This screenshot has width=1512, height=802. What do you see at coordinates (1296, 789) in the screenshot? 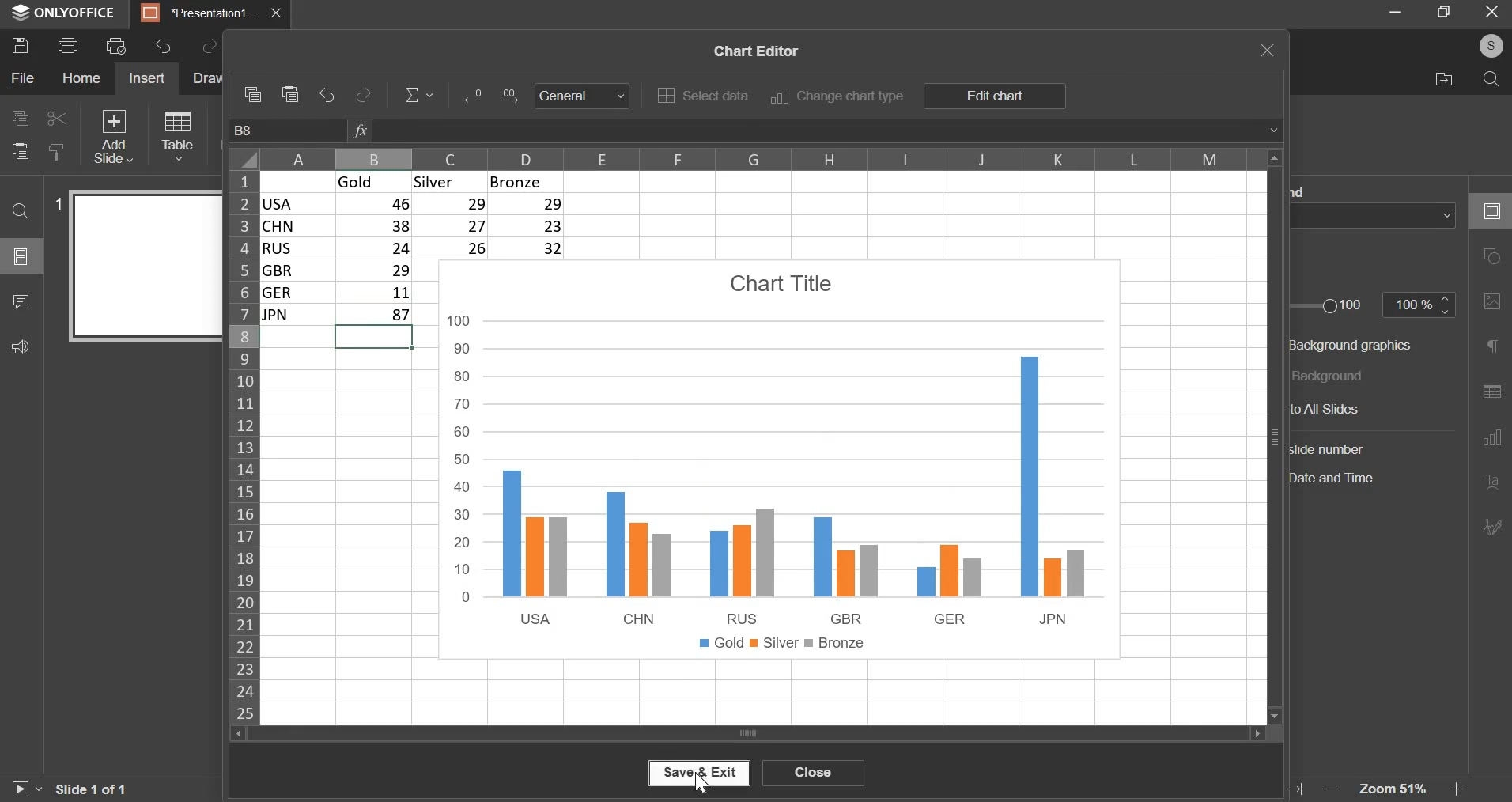
I see `fit to screen` at bounding box center [1296, 789].